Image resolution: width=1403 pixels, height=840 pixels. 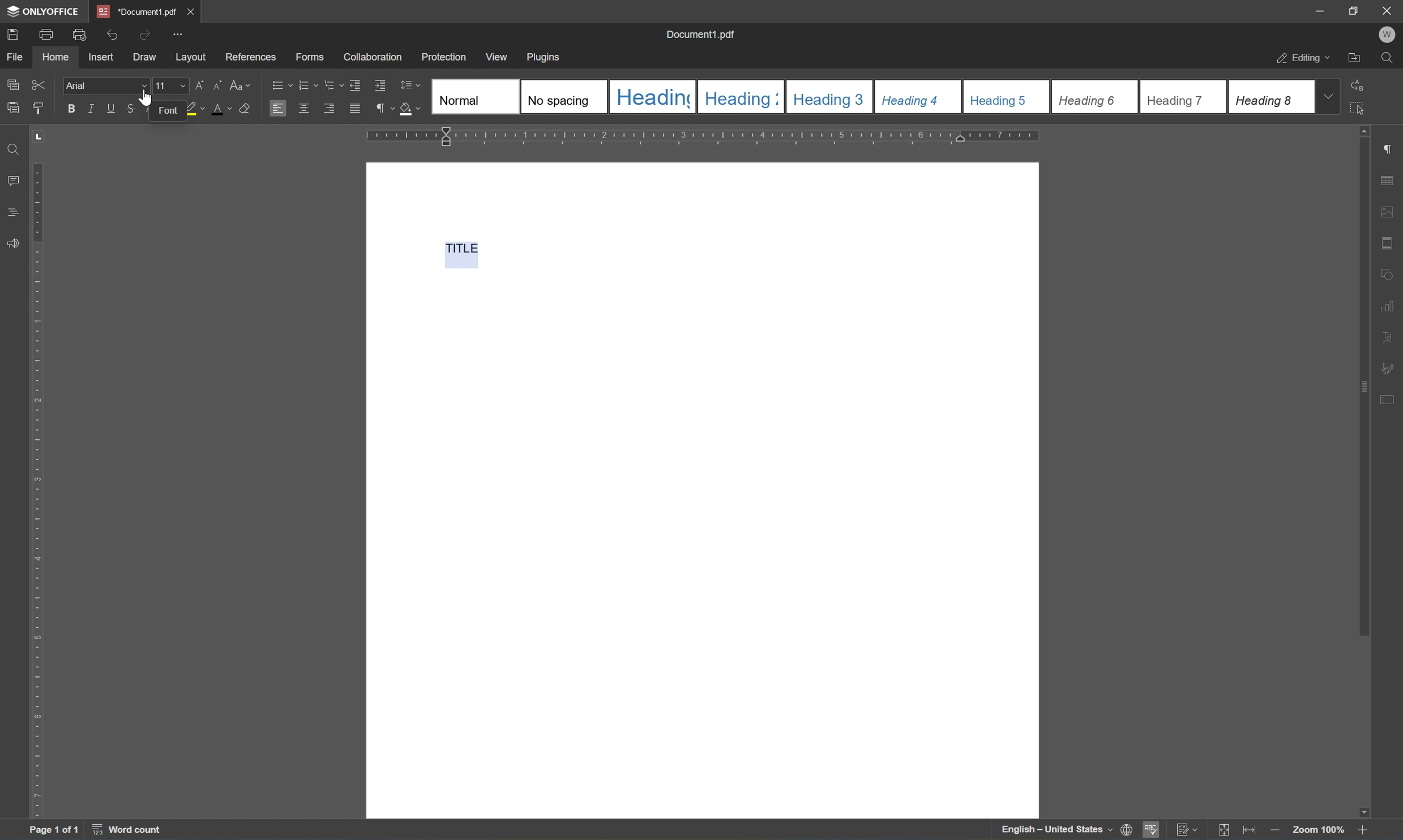 What do you see at coordinates (1320, 831) in the screenshot?
I see `Zoom 100%` at bounding box center [1320, 831].